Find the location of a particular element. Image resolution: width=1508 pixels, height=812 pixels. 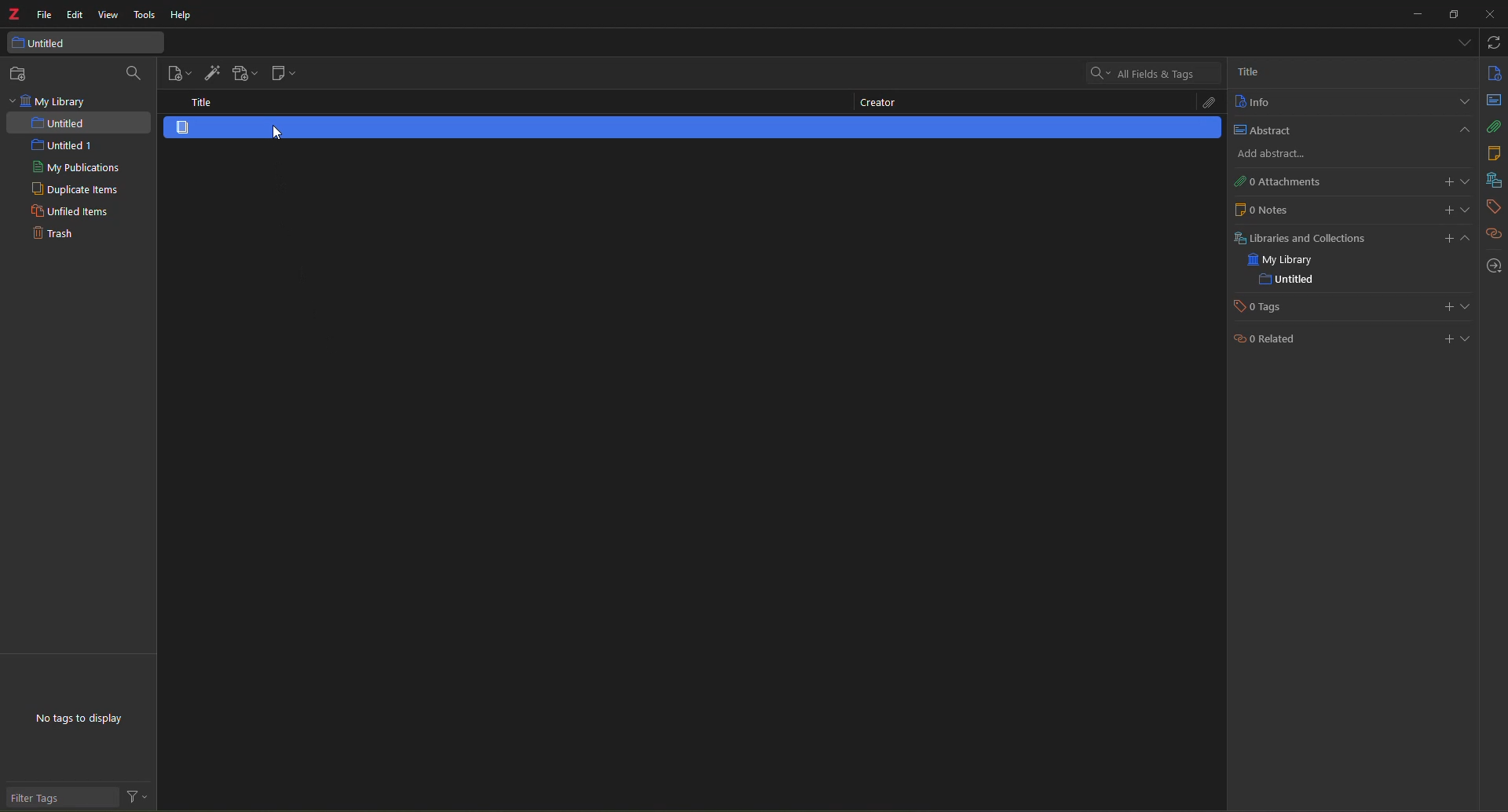

notes is located at coordinates (1492, 153).